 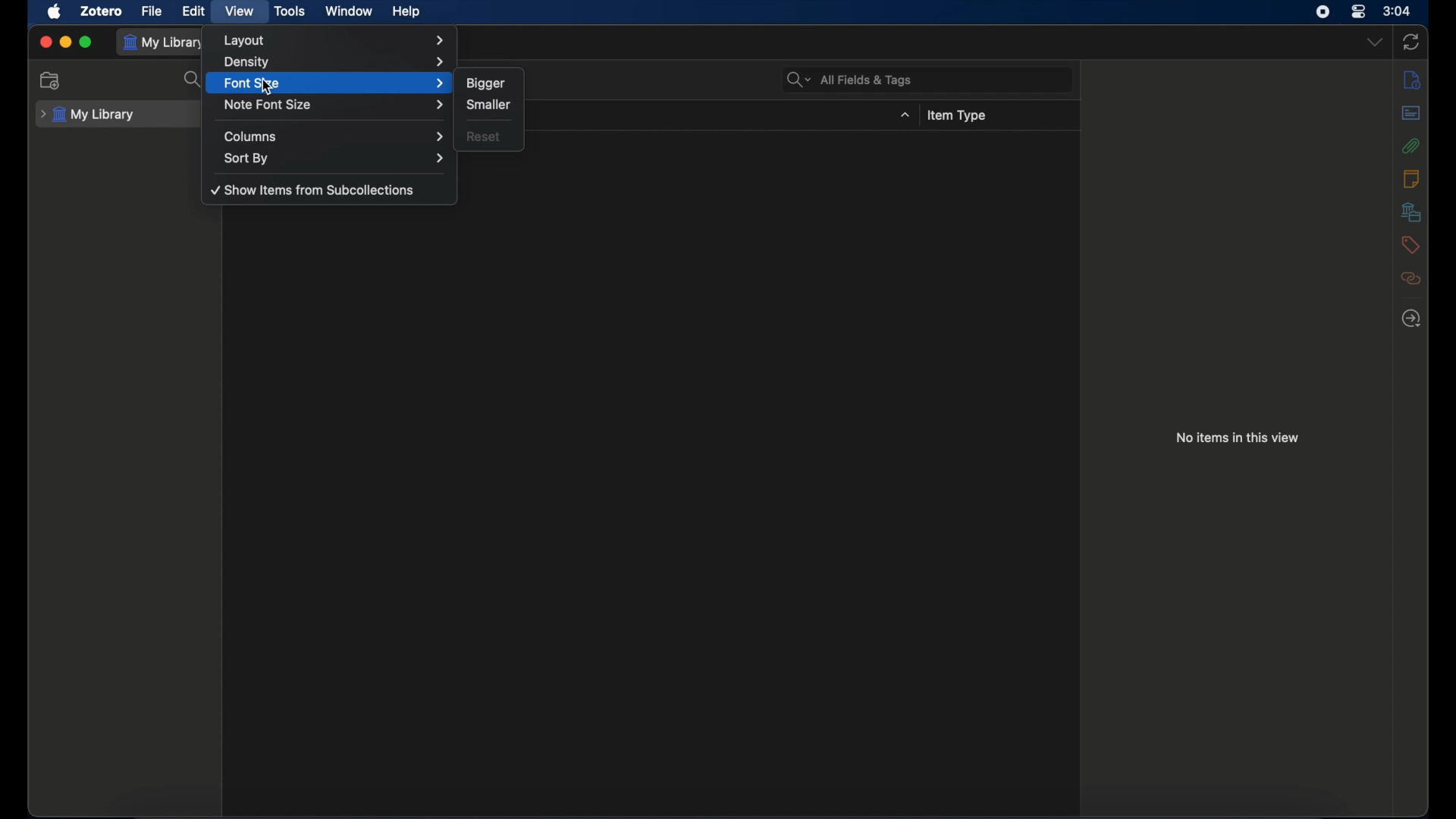 What do you see at coordinates (1410, 212) in the screenshot?
I see `libraries` at bounding box center [1410, 212].